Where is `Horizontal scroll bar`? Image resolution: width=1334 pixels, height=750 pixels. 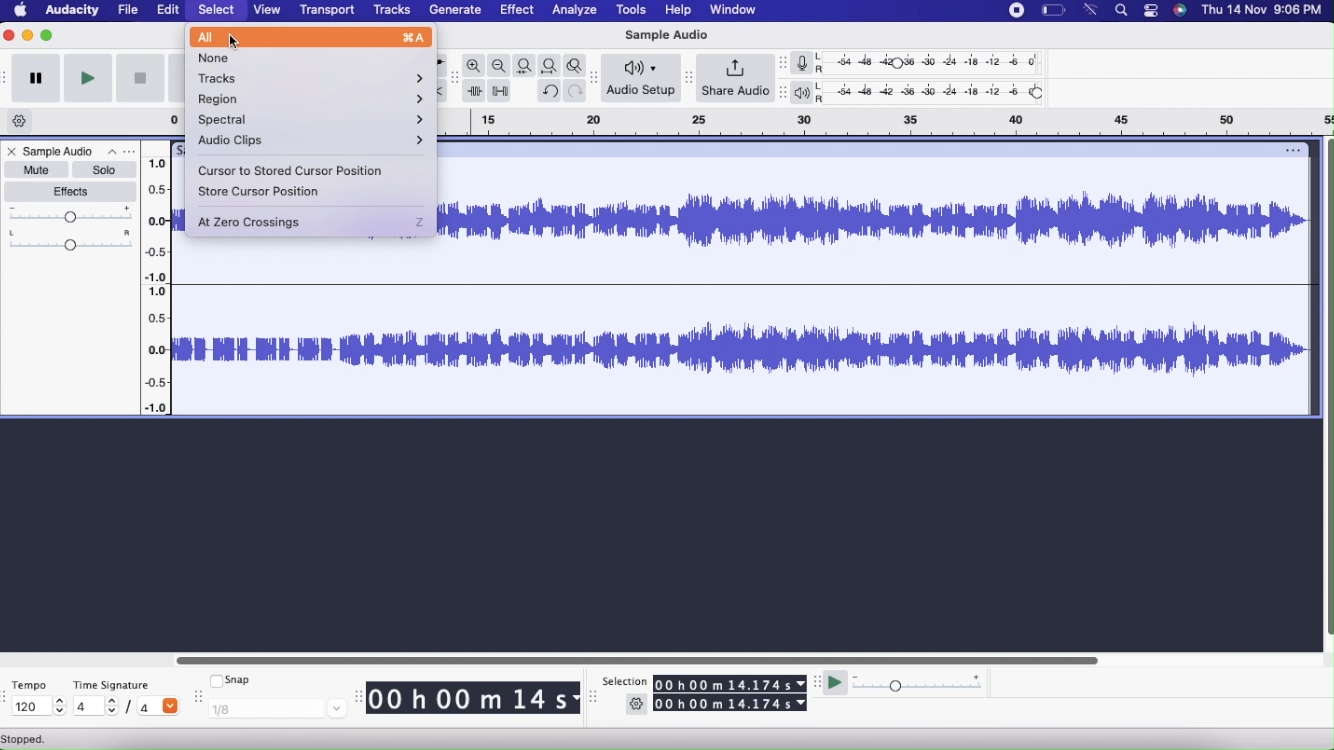 Horizontal scroll bar is located at coordinates (638, 657).